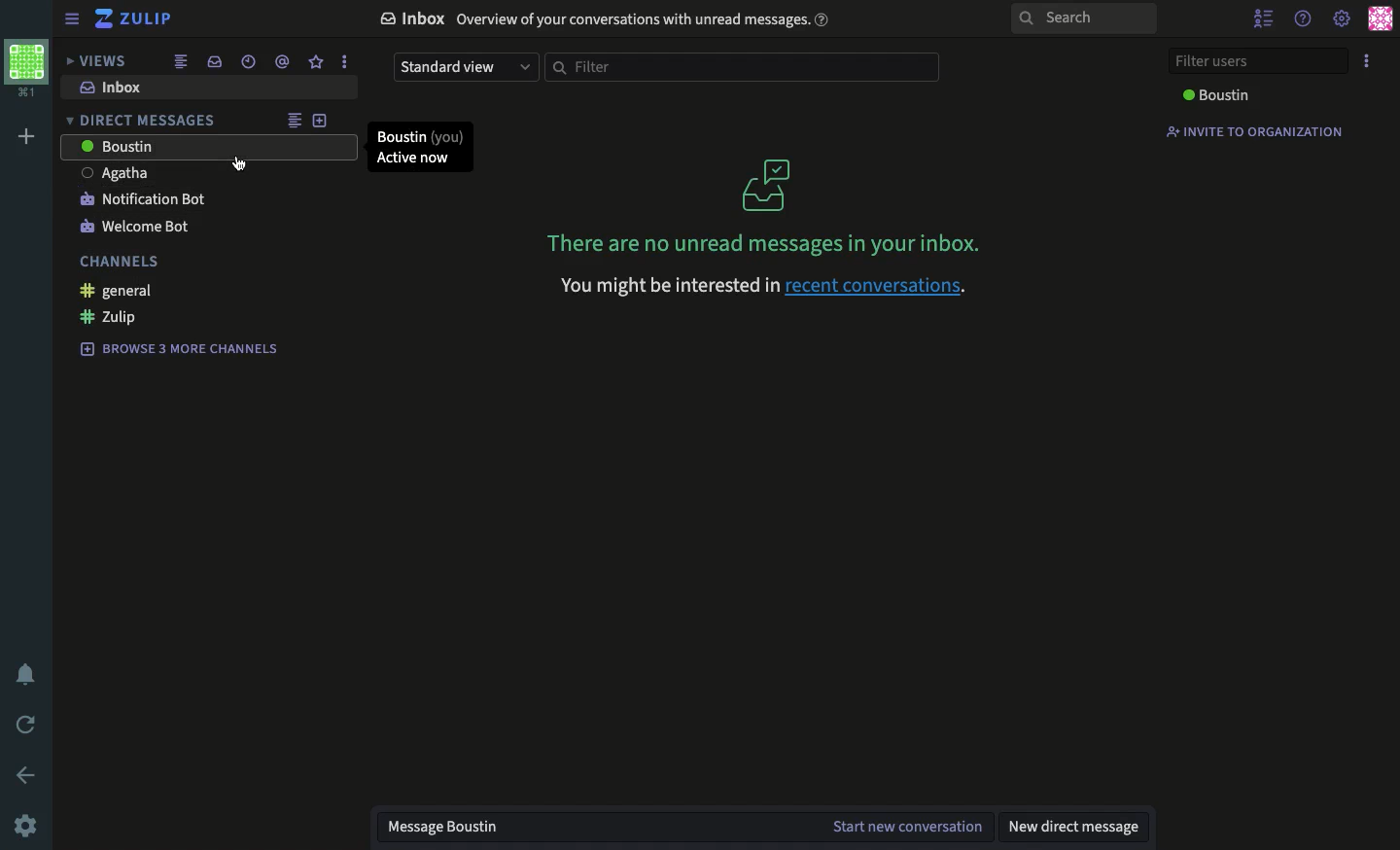 The image size is (1400, 850). What do you see at coordinates (27, 133) in the screenshot?
I see `add workspace` at bounding box center [27, 133].